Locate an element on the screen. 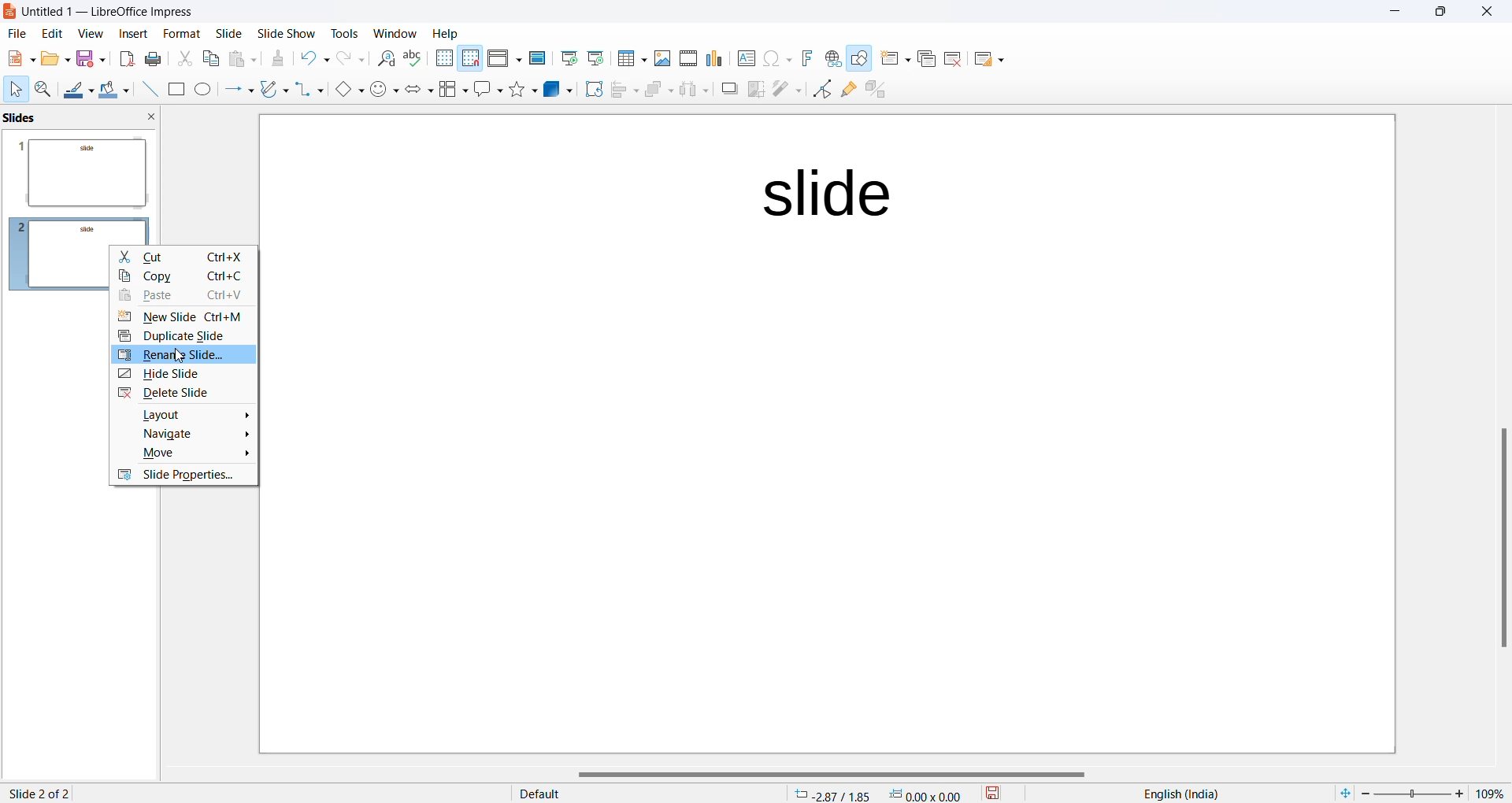  Insert audio and video is located at coordinates (686, 57).